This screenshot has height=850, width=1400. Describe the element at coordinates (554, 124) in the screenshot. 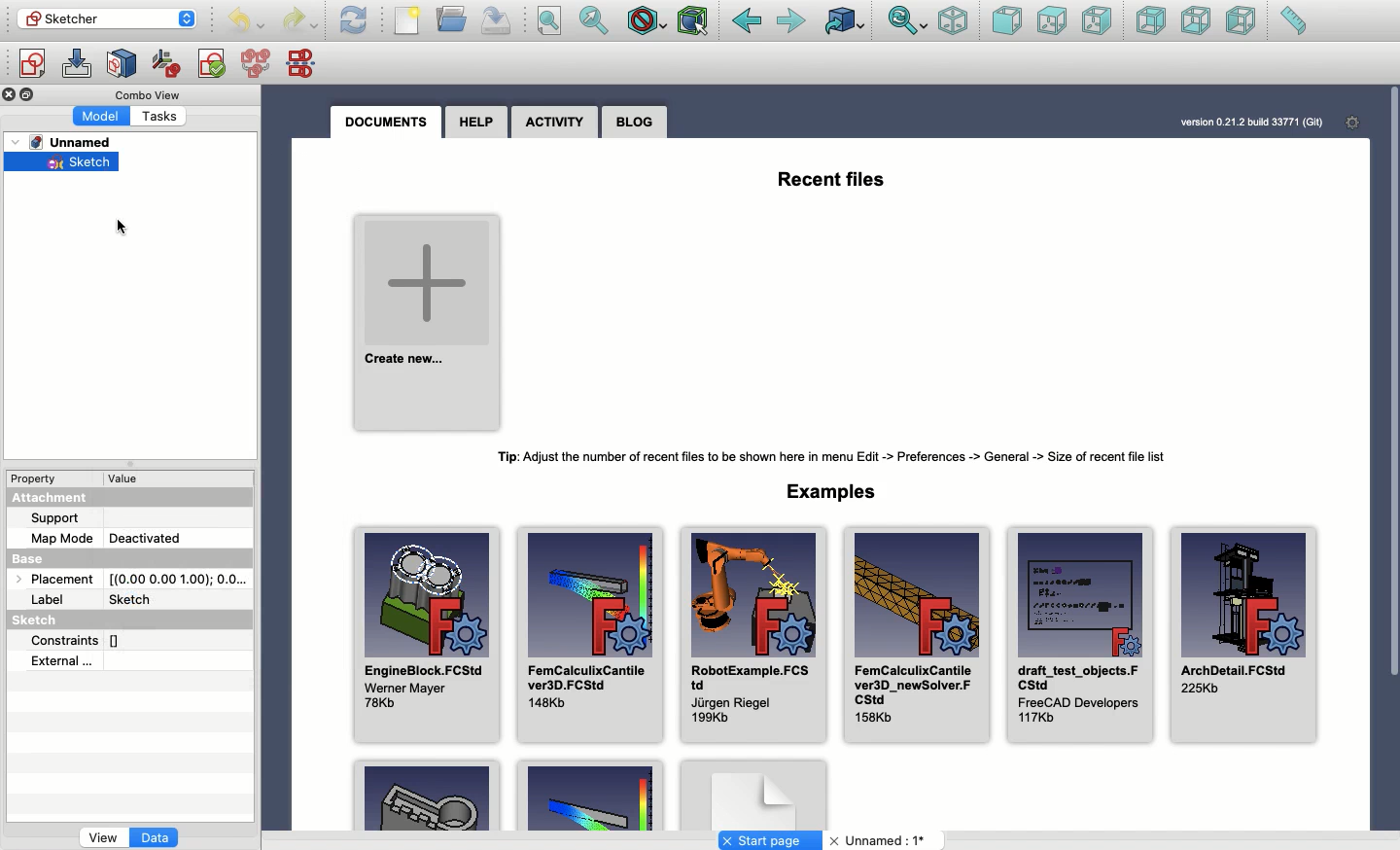

I see `Activity ` at that location.